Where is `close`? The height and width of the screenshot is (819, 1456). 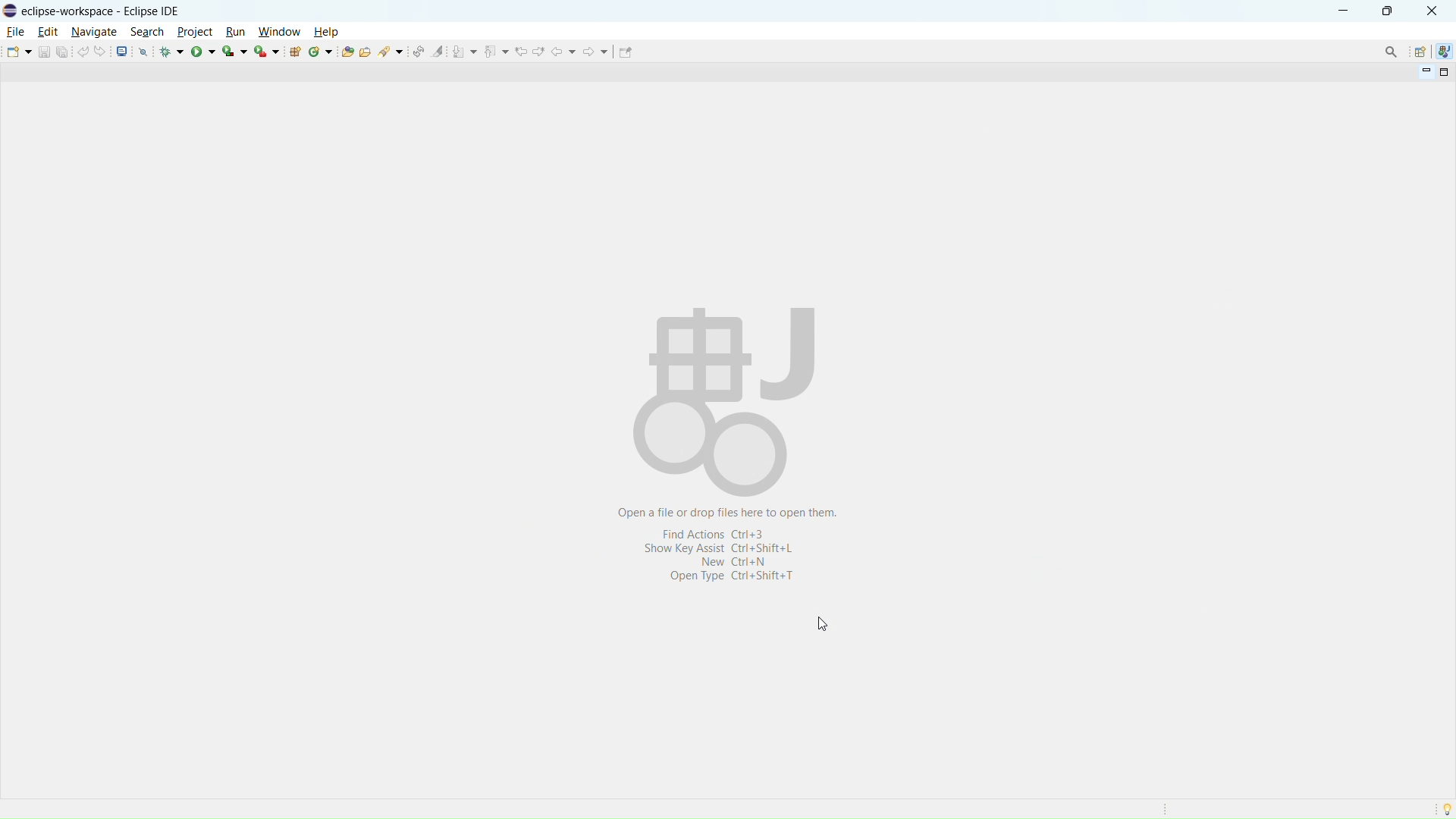
close is located at coordinates (1431, 11).